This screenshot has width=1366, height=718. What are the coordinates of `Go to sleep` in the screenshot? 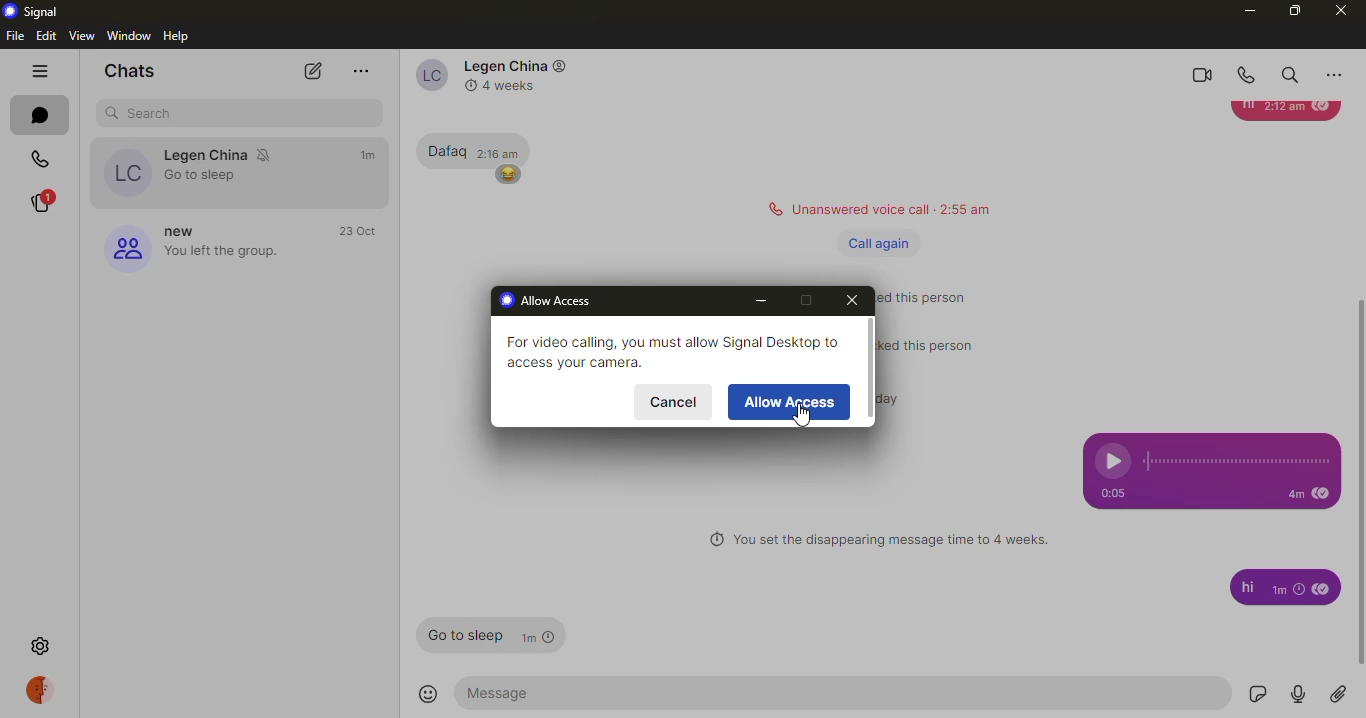 It's located at (203, 176).